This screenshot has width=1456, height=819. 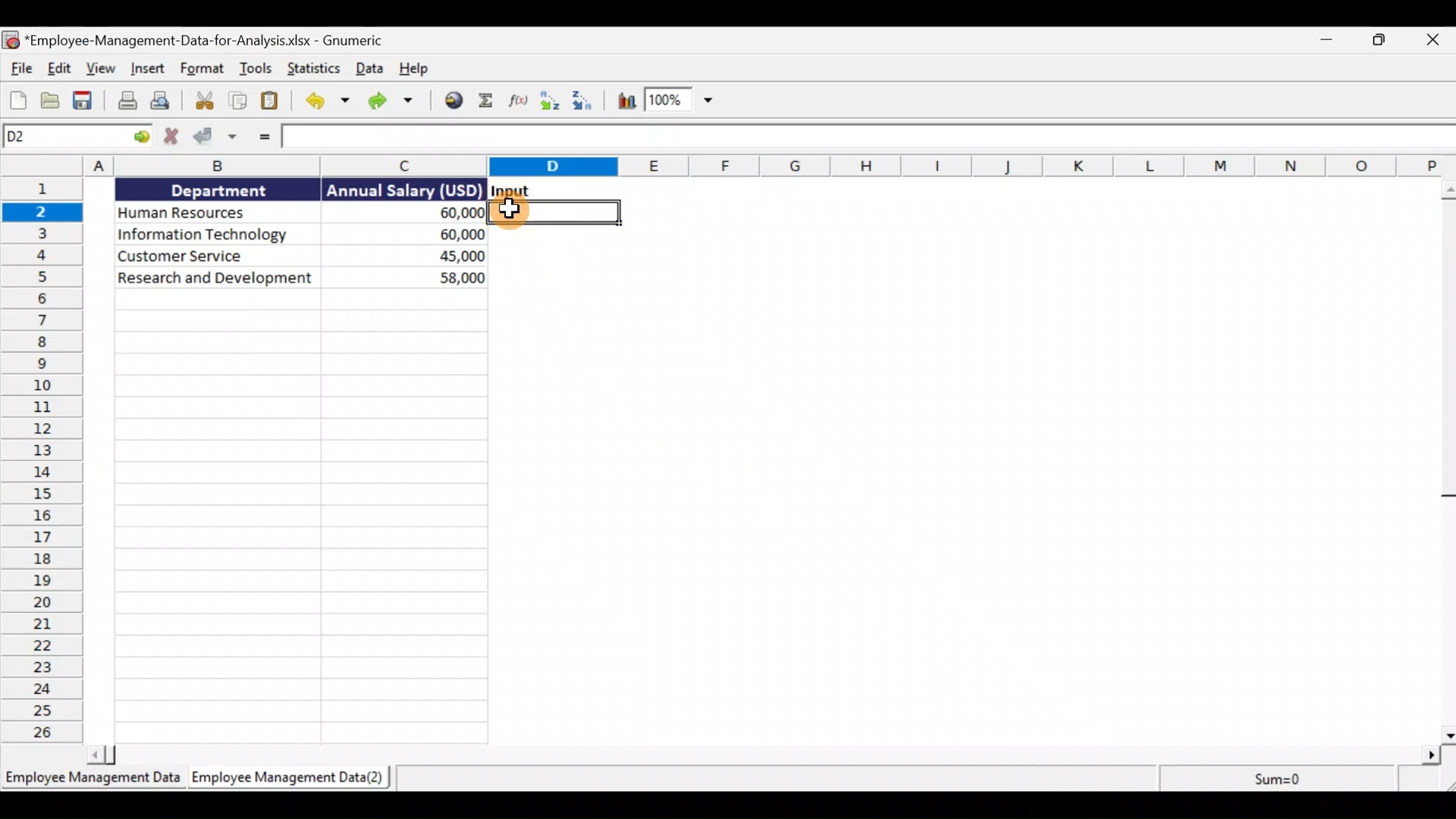 I want to click on scroll bar, so click(x=1445, y=461).